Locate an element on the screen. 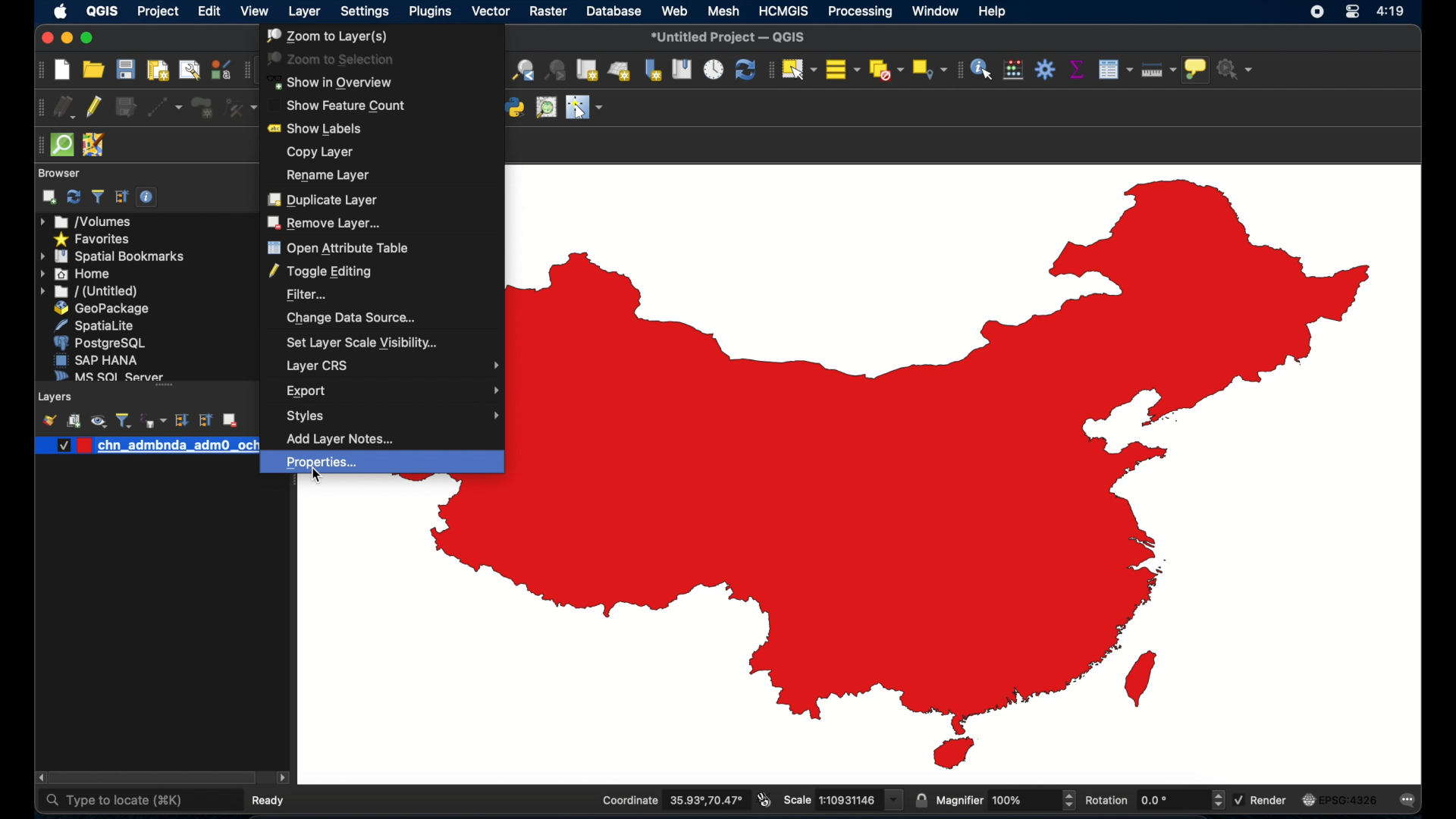  scroll left arrow is located at coordinates (283, 778).